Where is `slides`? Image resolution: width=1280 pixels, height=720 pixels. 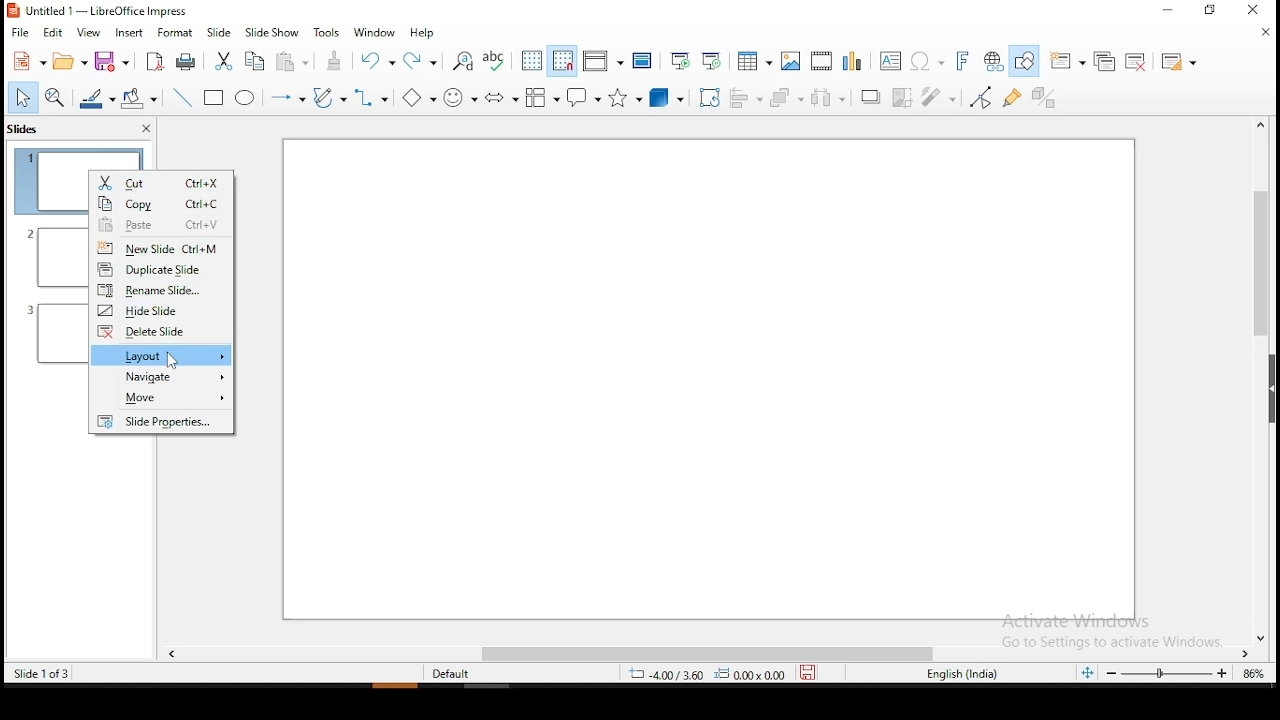
slides is located at coordinates (23, 128).